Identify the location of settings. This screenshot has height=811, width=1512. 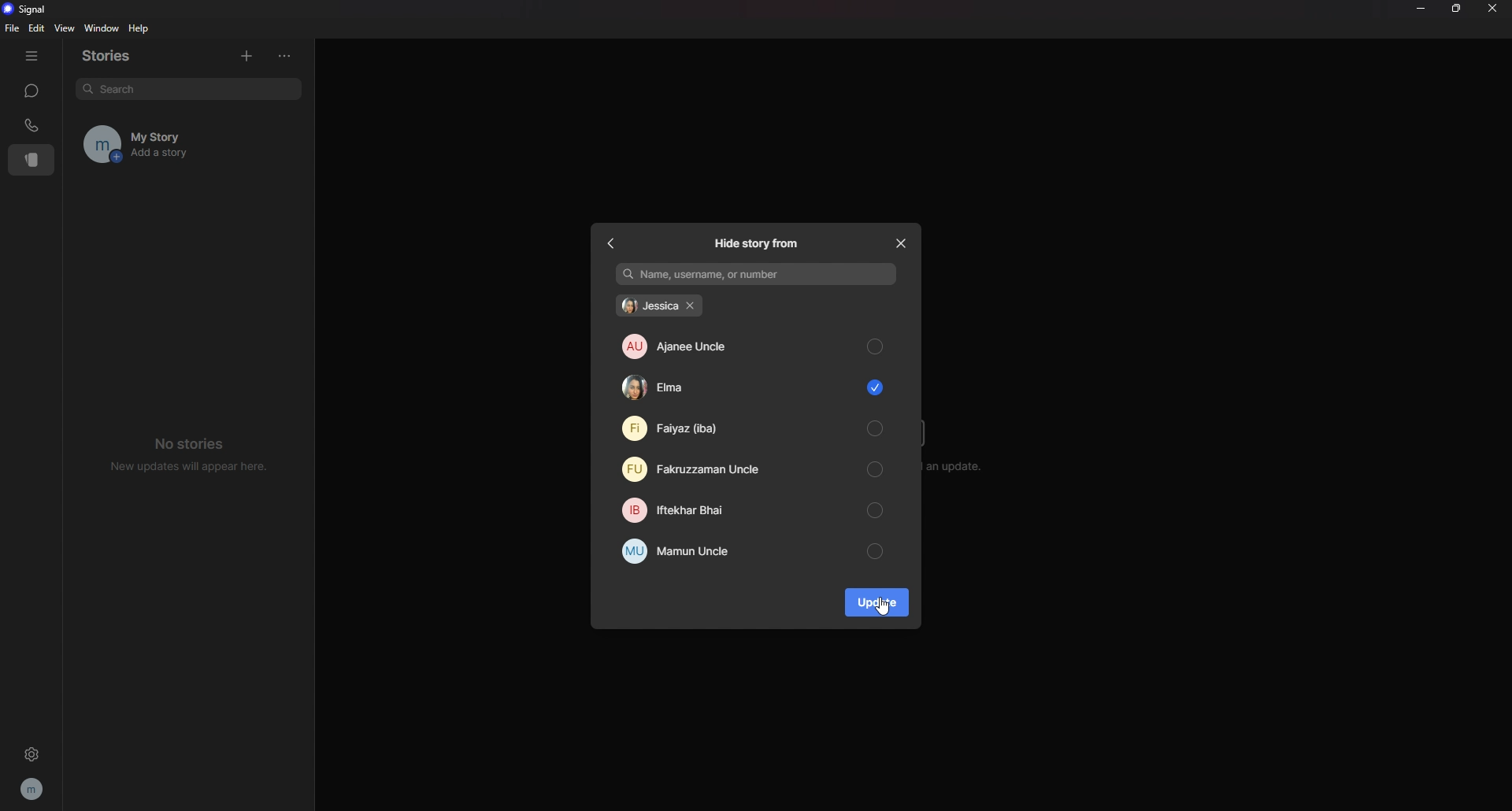
(31, 754).